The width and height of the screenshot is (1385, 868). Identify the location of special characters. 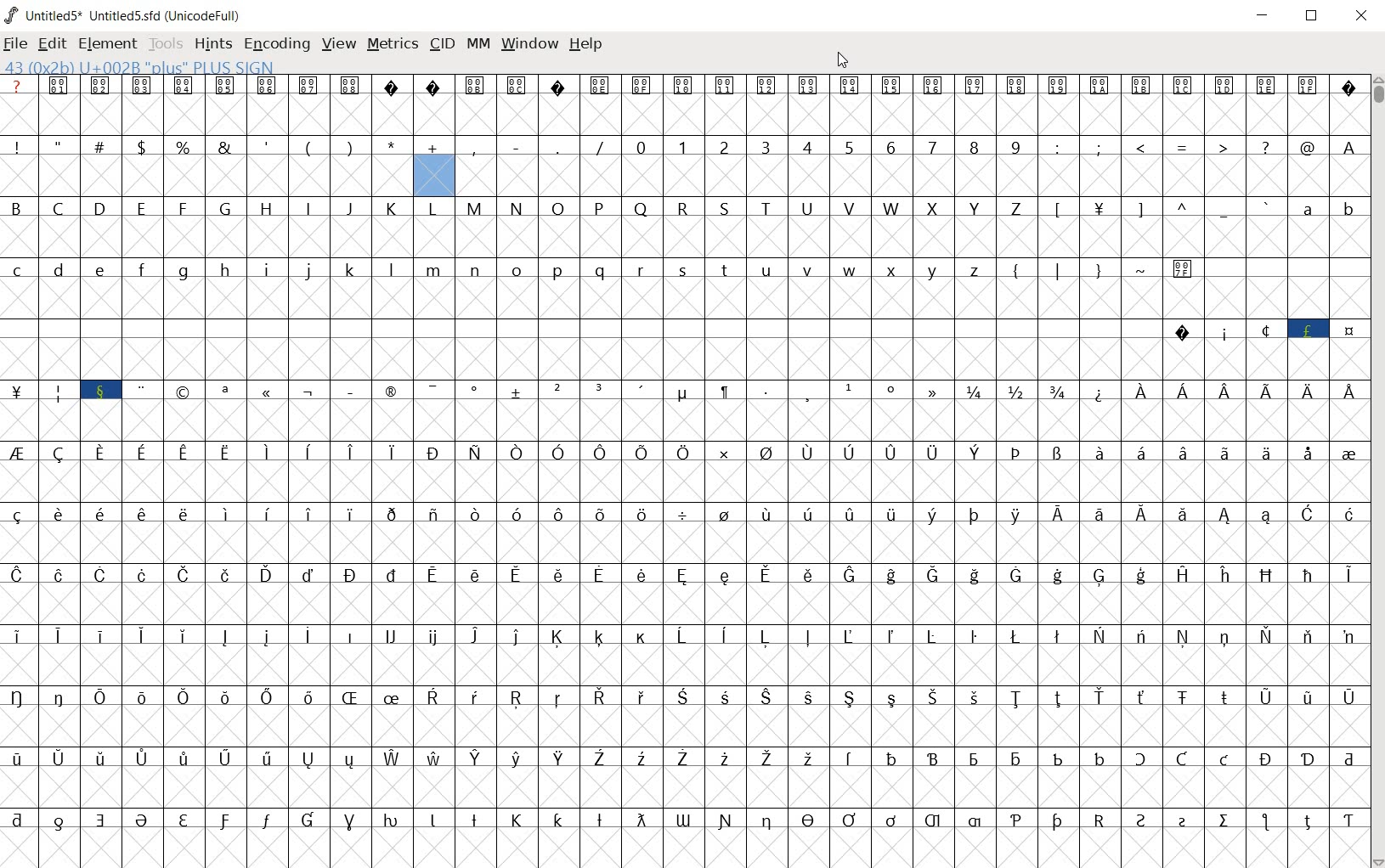
(1263, 350).